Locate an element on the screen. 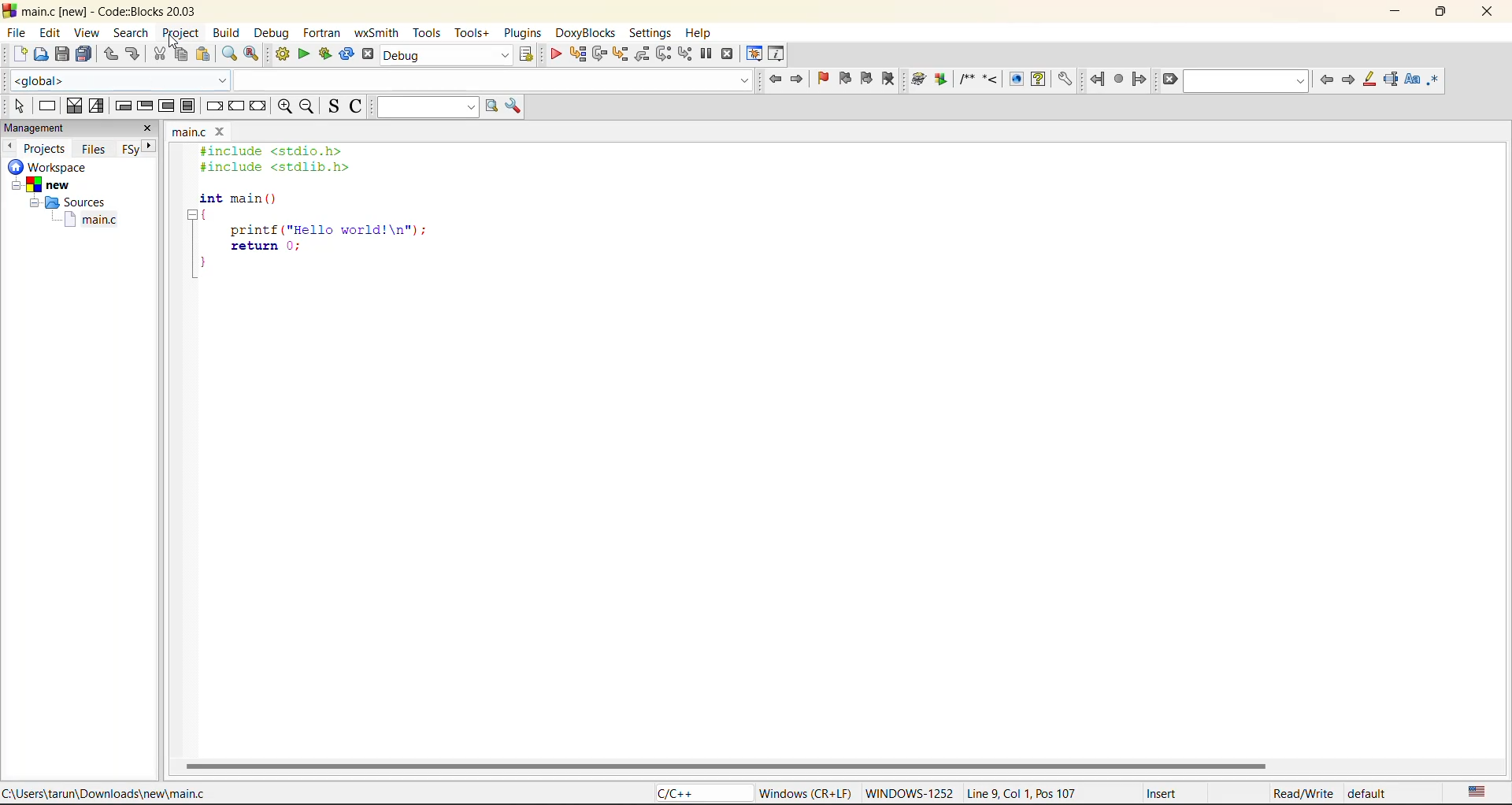  run is located at coordinates (305, 53).